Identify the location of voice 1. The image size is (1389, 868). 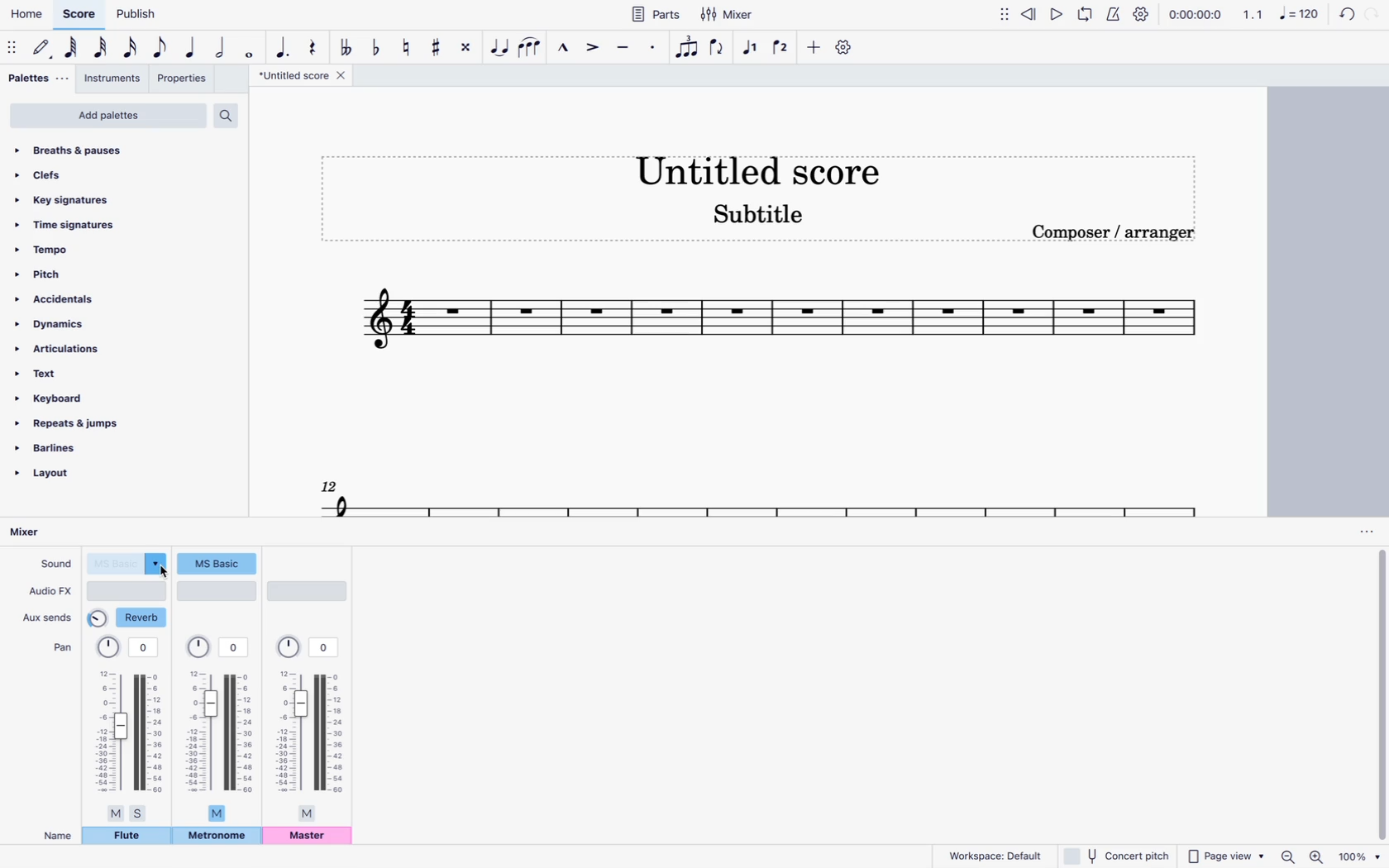
(752, 48).